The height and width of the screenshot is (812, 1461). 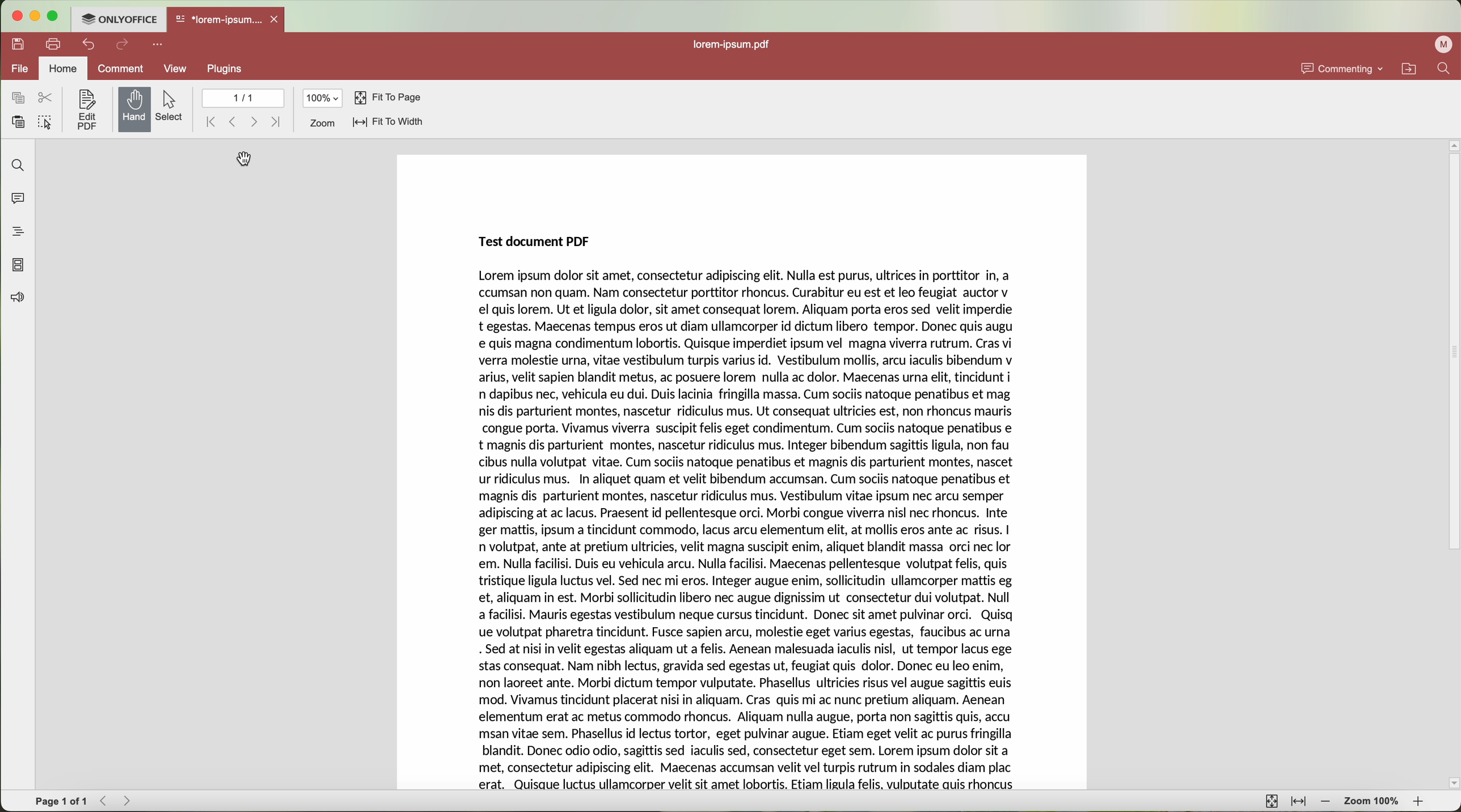 What do you see at coordinates (531, 242) in the screenshot?
I see `Test document PDF` at bounding box center [531, 242].